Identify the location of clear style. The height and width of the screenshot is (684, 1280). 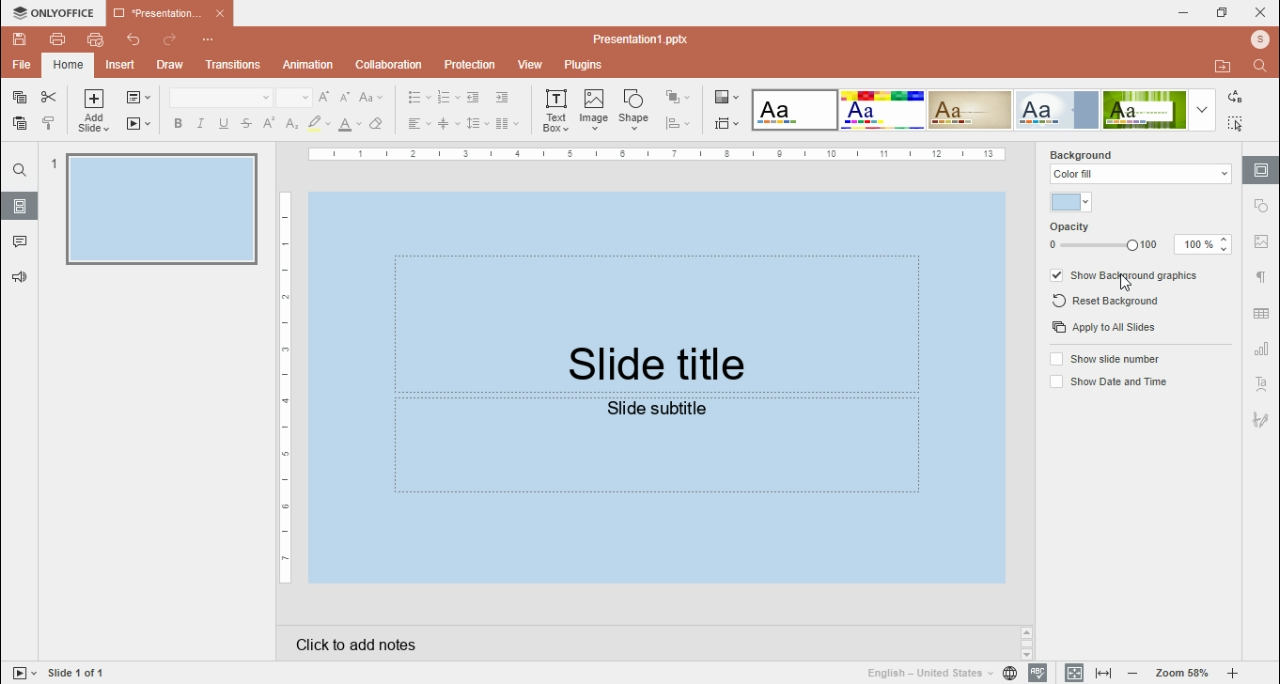
(376, 124).